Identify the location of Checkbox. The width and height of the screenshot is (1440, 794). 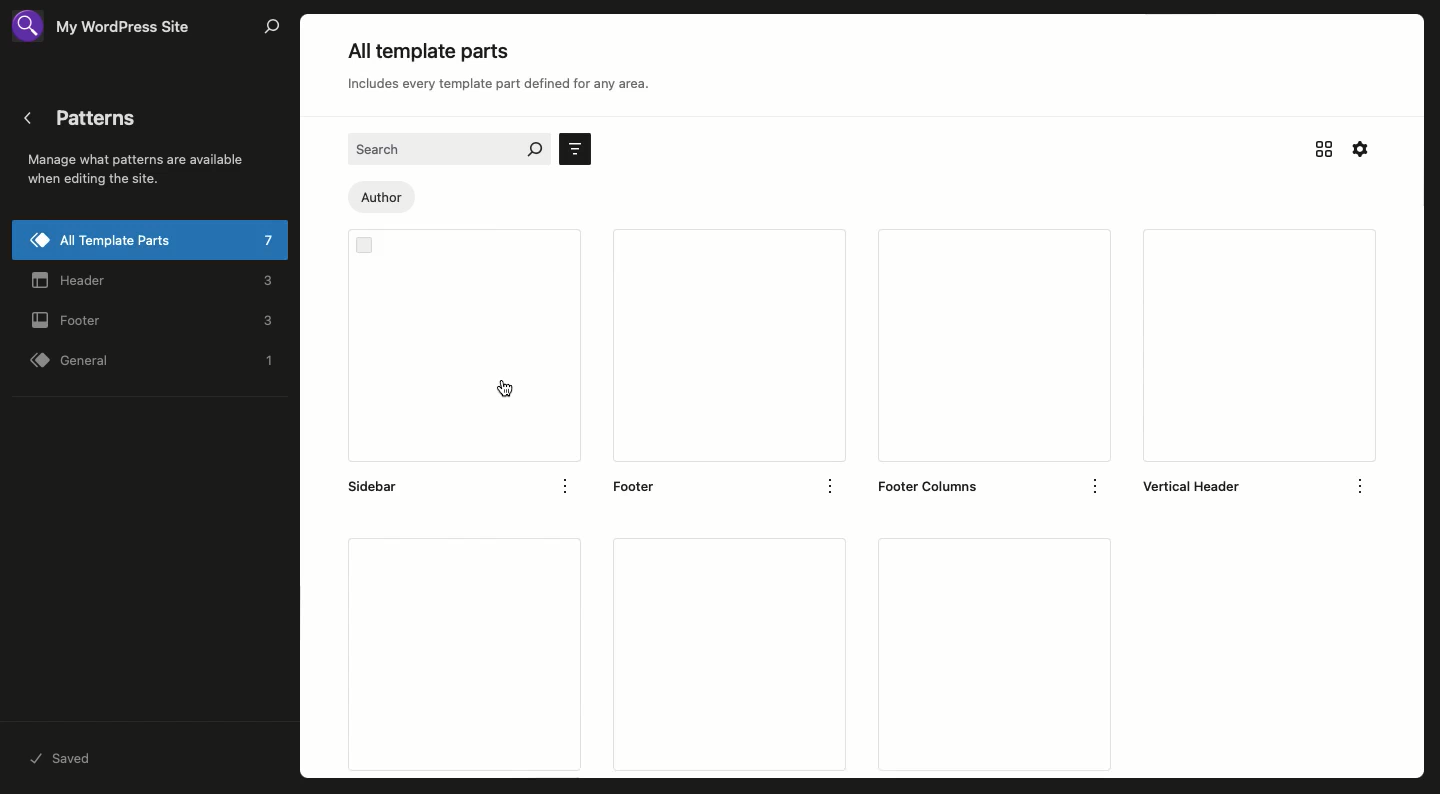
(368, 242).